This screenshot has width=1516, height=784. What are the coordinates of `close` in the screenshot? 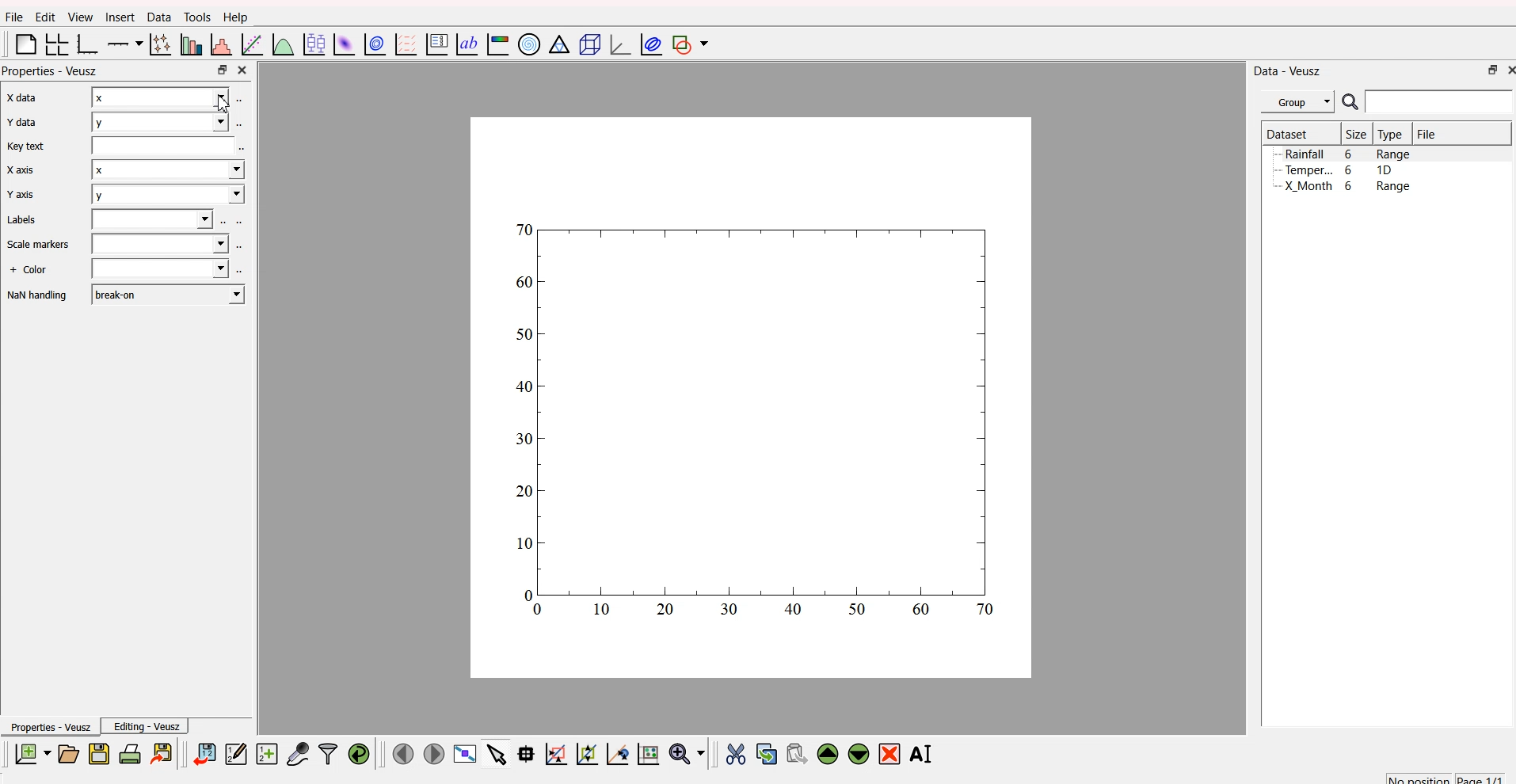 It's located at (1508, 71).